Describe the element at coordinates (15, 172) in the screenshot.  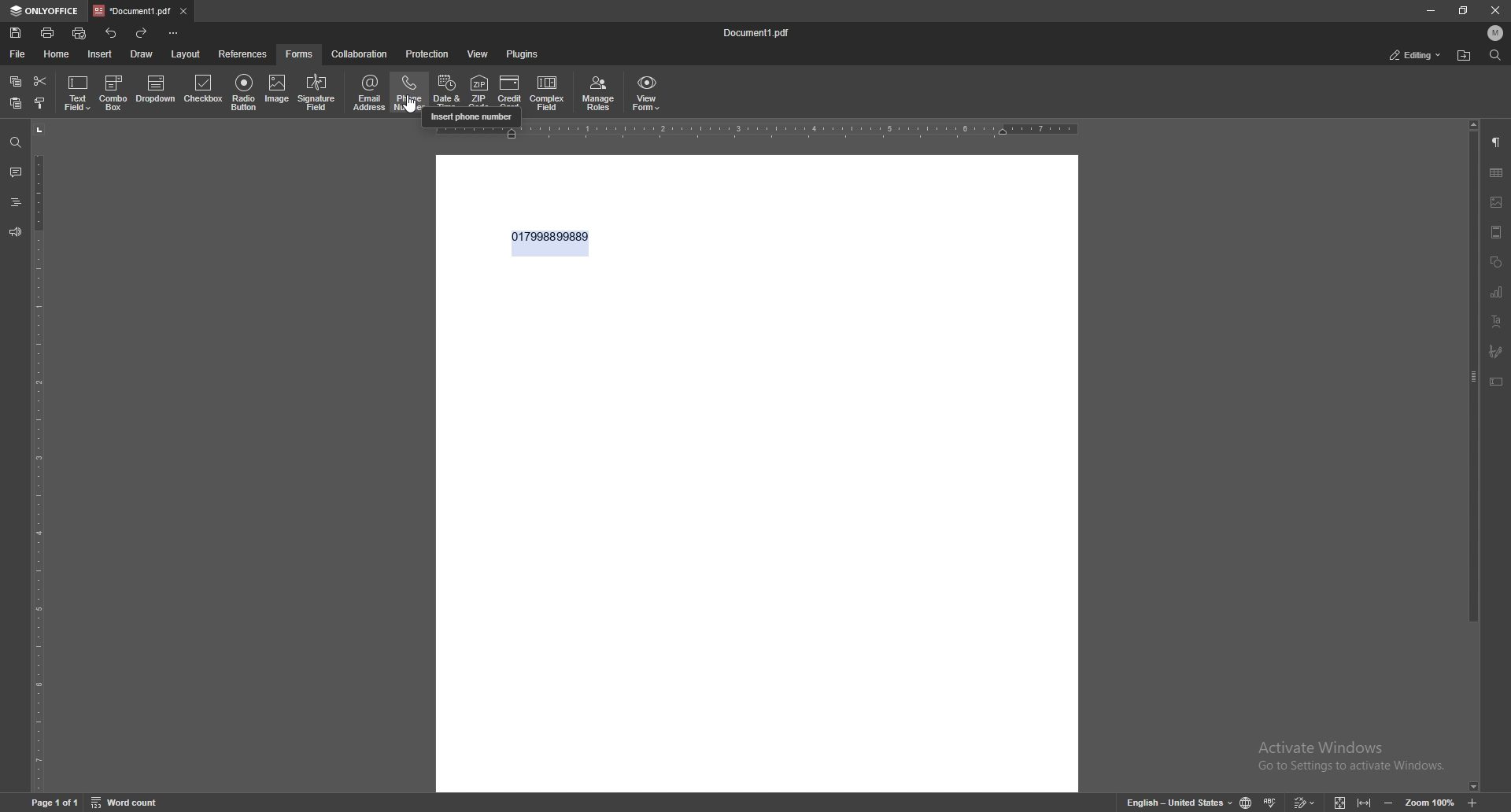
I see `comment` at that location.